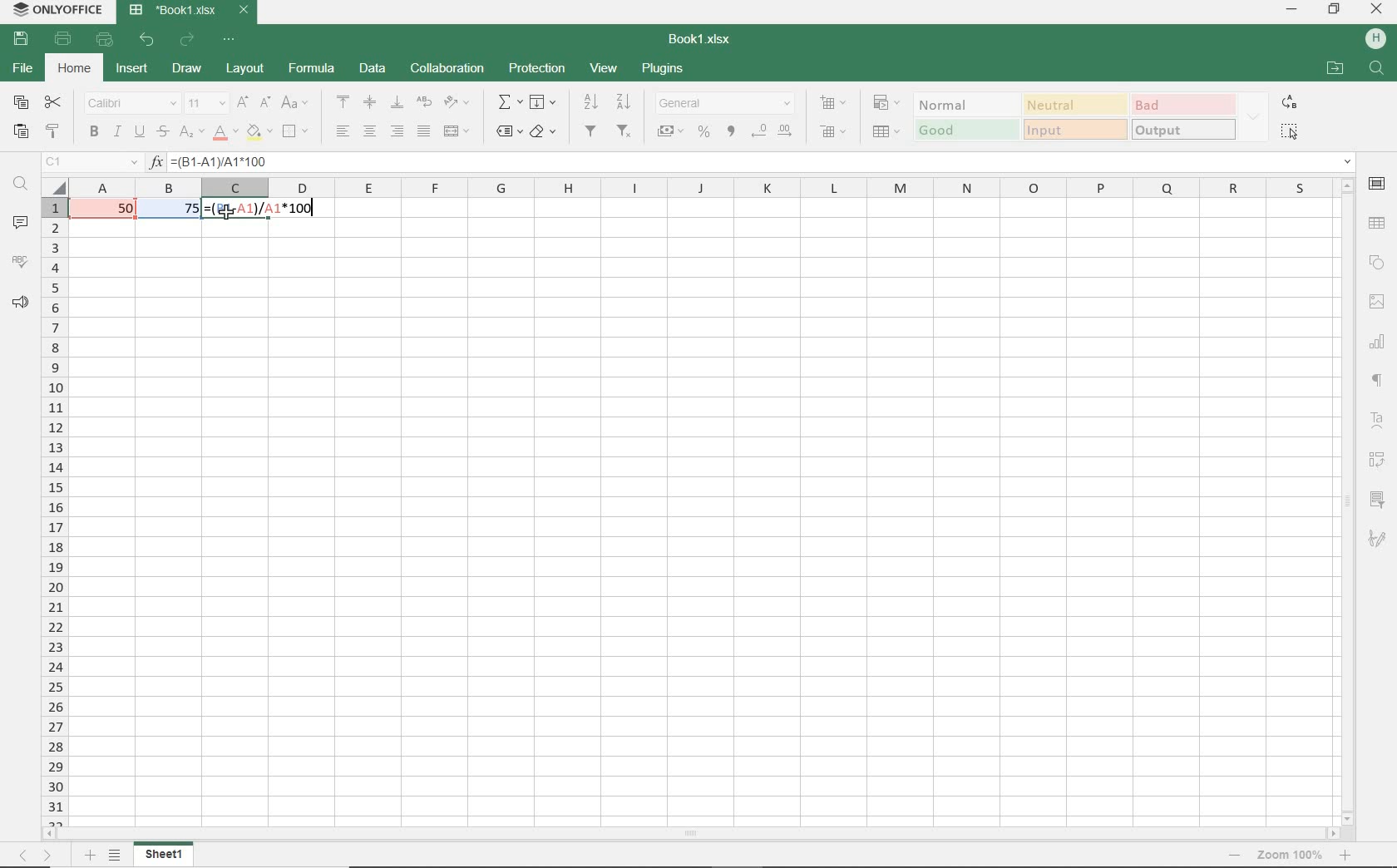  What do you see at coordinates (889, 102) in the screenshot?
I see `conditional formatting` at bounding box center [889, 102].